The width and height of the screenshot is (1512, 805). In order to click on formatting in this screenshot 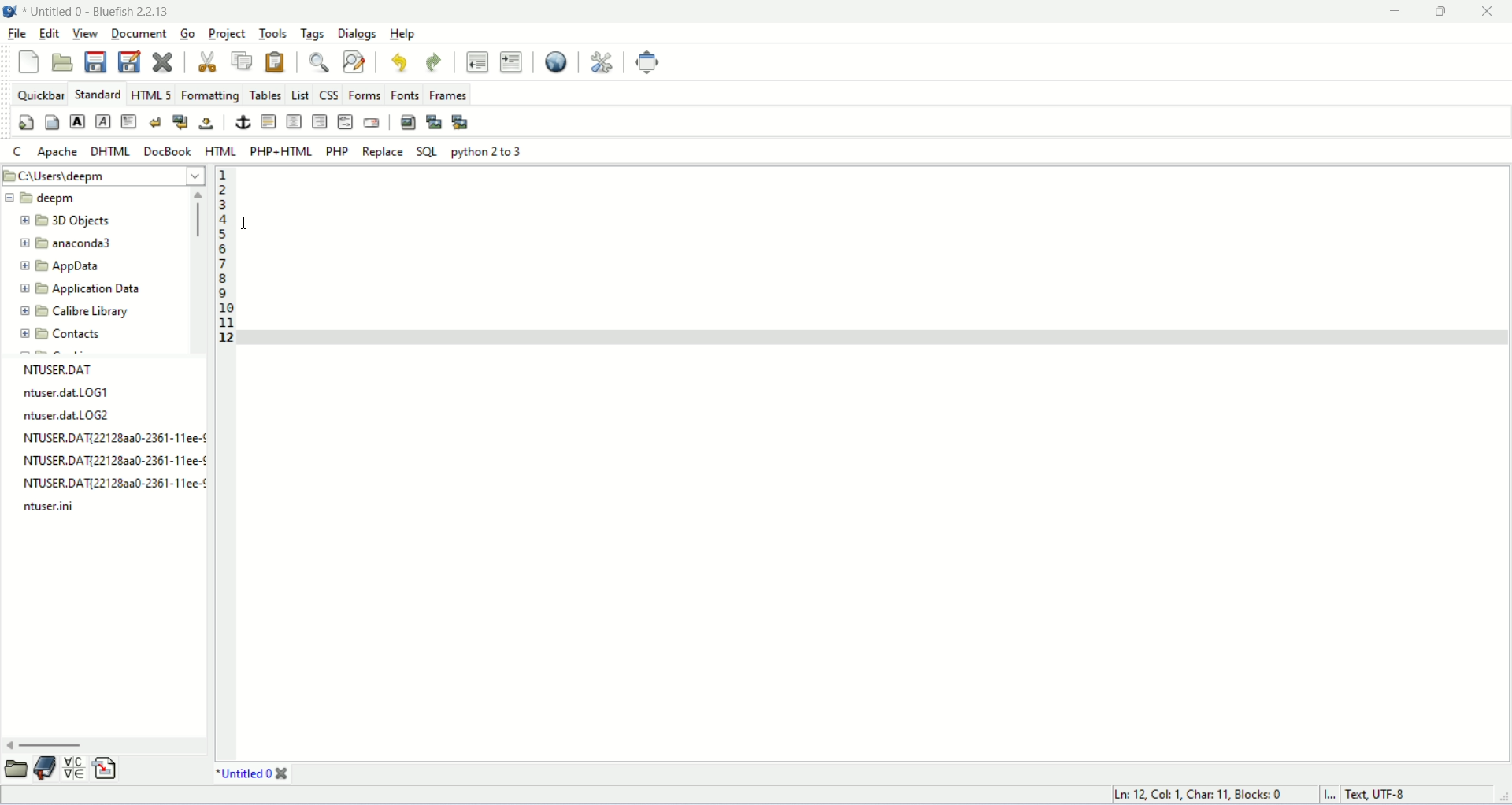, I will do `click(213, 95)`.